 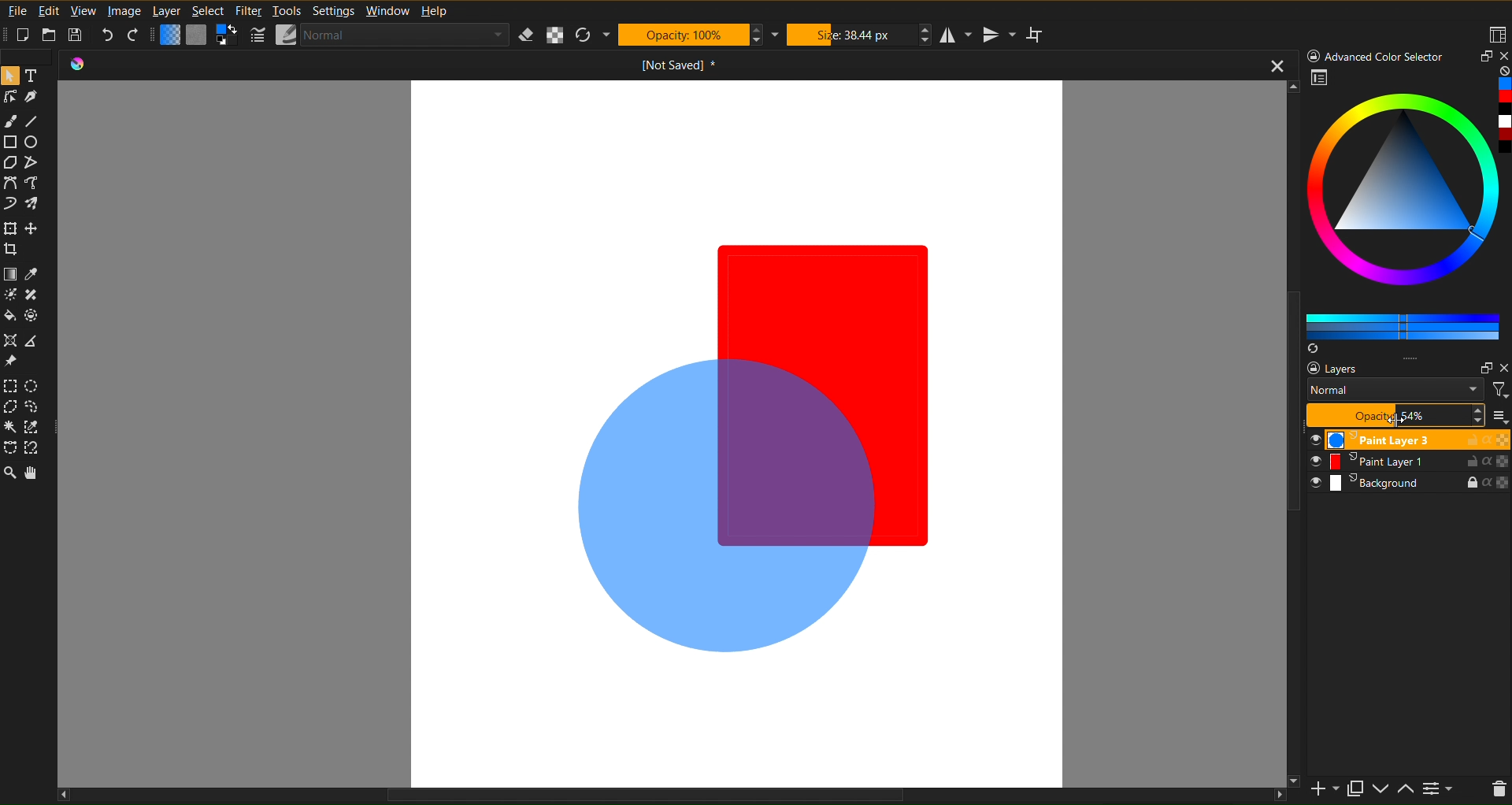 What do you see at coordinates (124, 9) in the screenshot?
I see `Image` at bounding box center [124, 9].